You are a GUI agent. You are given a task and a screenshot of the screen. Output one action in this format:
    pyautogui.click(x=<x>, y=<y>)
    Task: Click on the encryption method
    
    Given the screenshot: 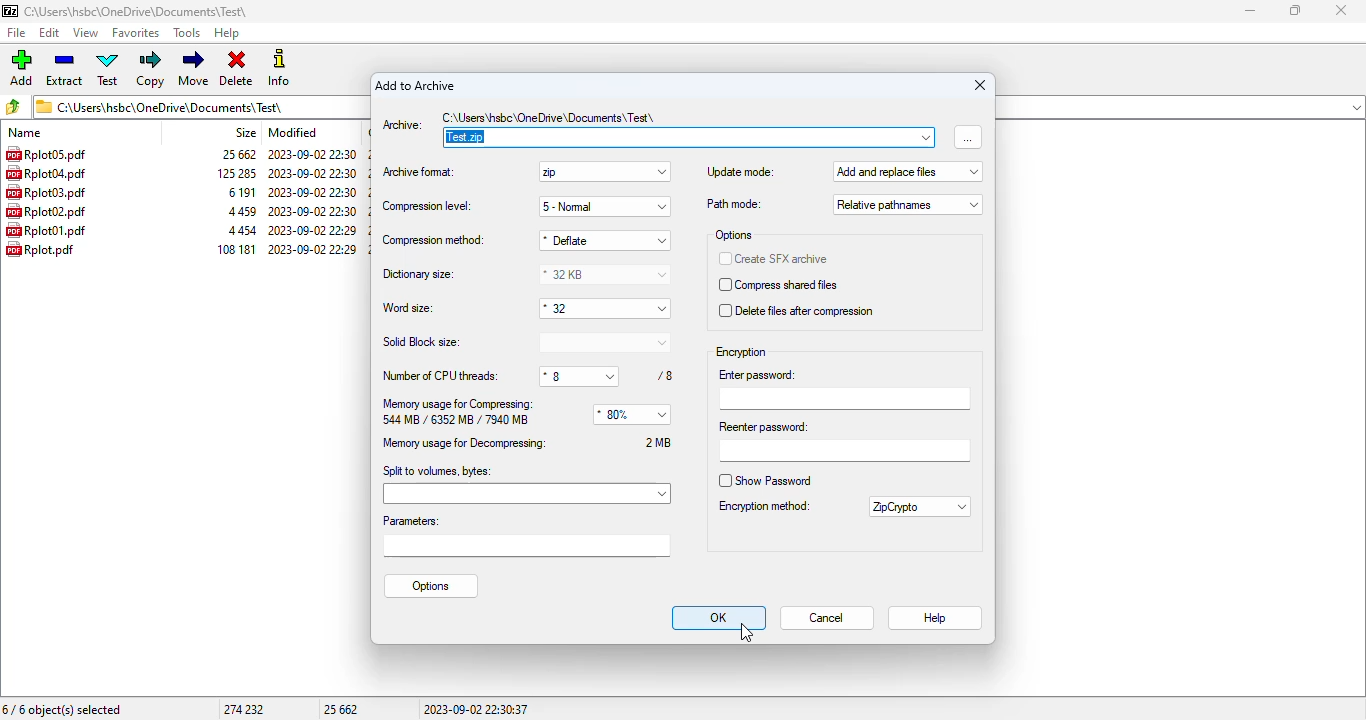 What is the action you would take?
    pyautogui.click(x=763, y=506)
    